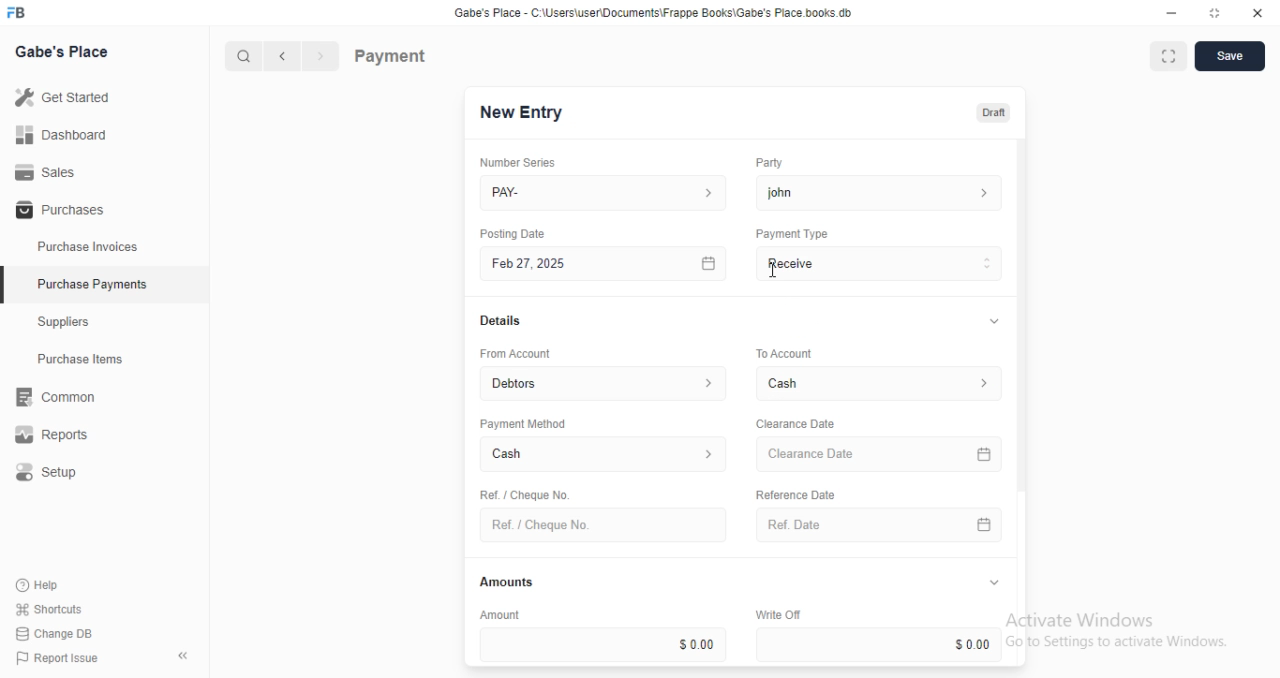 The image size is (1280, 678). I want to click on Cash, so click(604, 456).